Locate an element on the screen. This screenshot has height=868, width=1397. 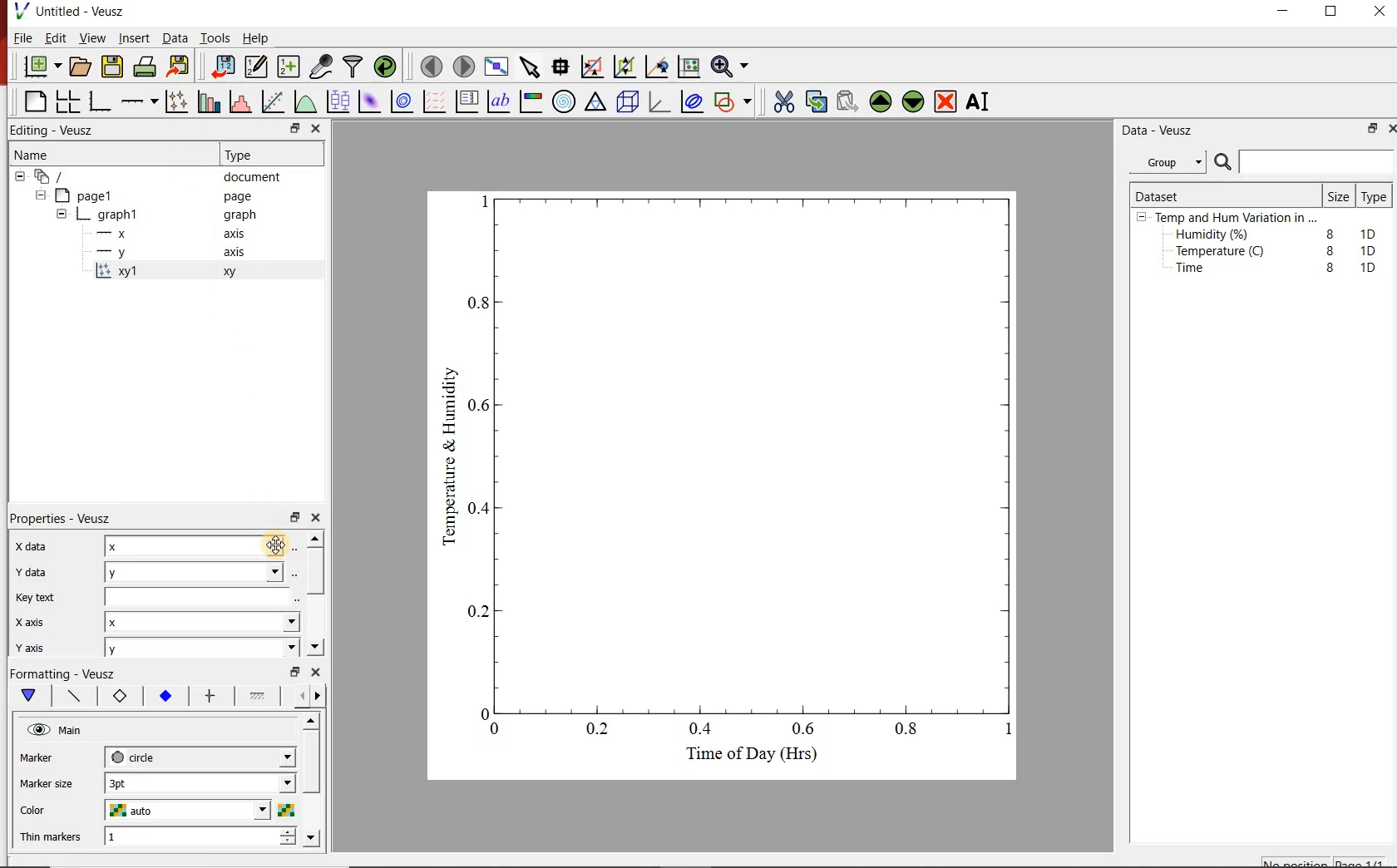
Move the selected widget down is located at coordinates (916, 101).